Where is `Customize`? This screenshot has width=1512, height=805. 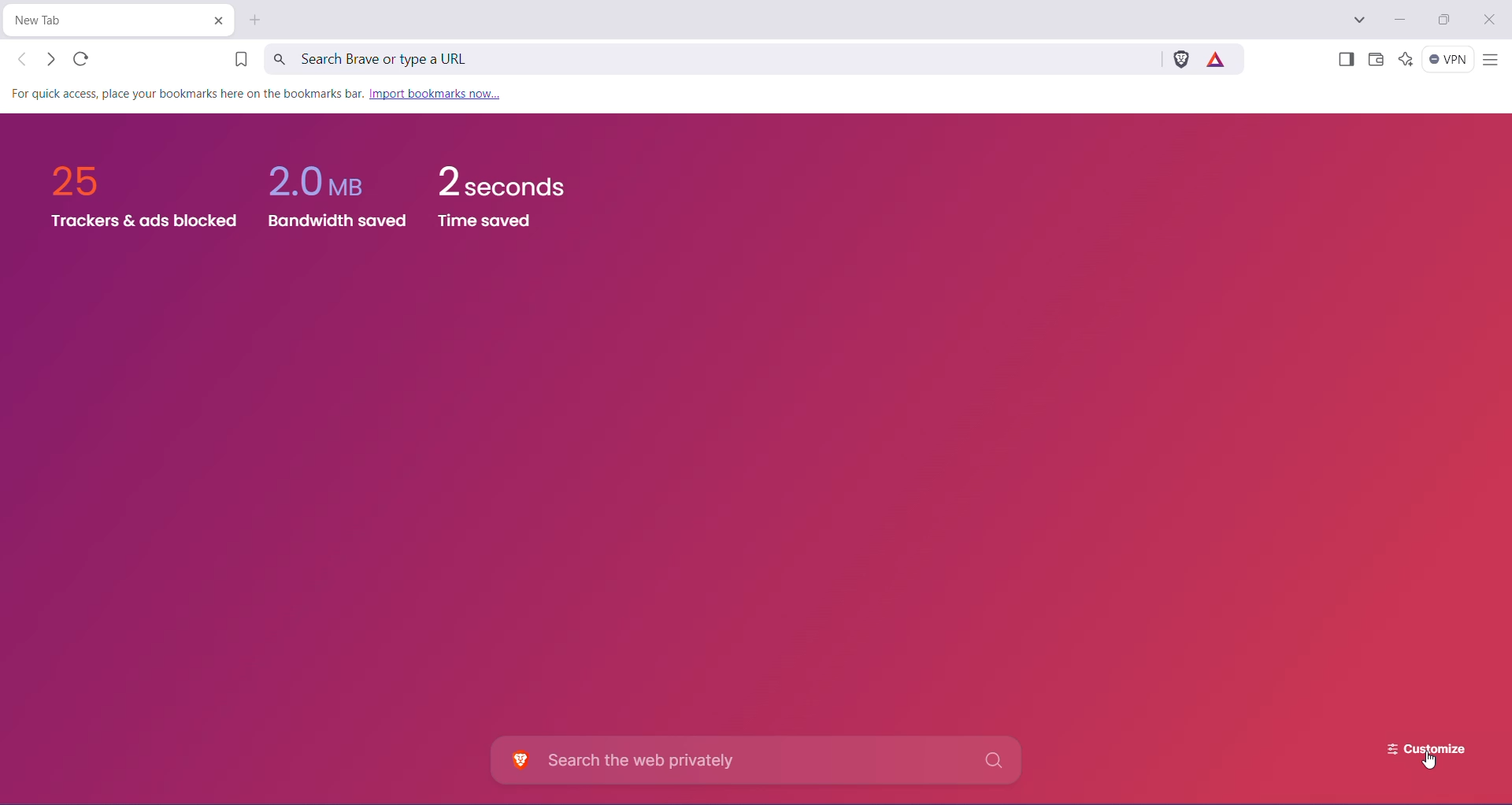 Customize is located at coordinates (1414, 744).